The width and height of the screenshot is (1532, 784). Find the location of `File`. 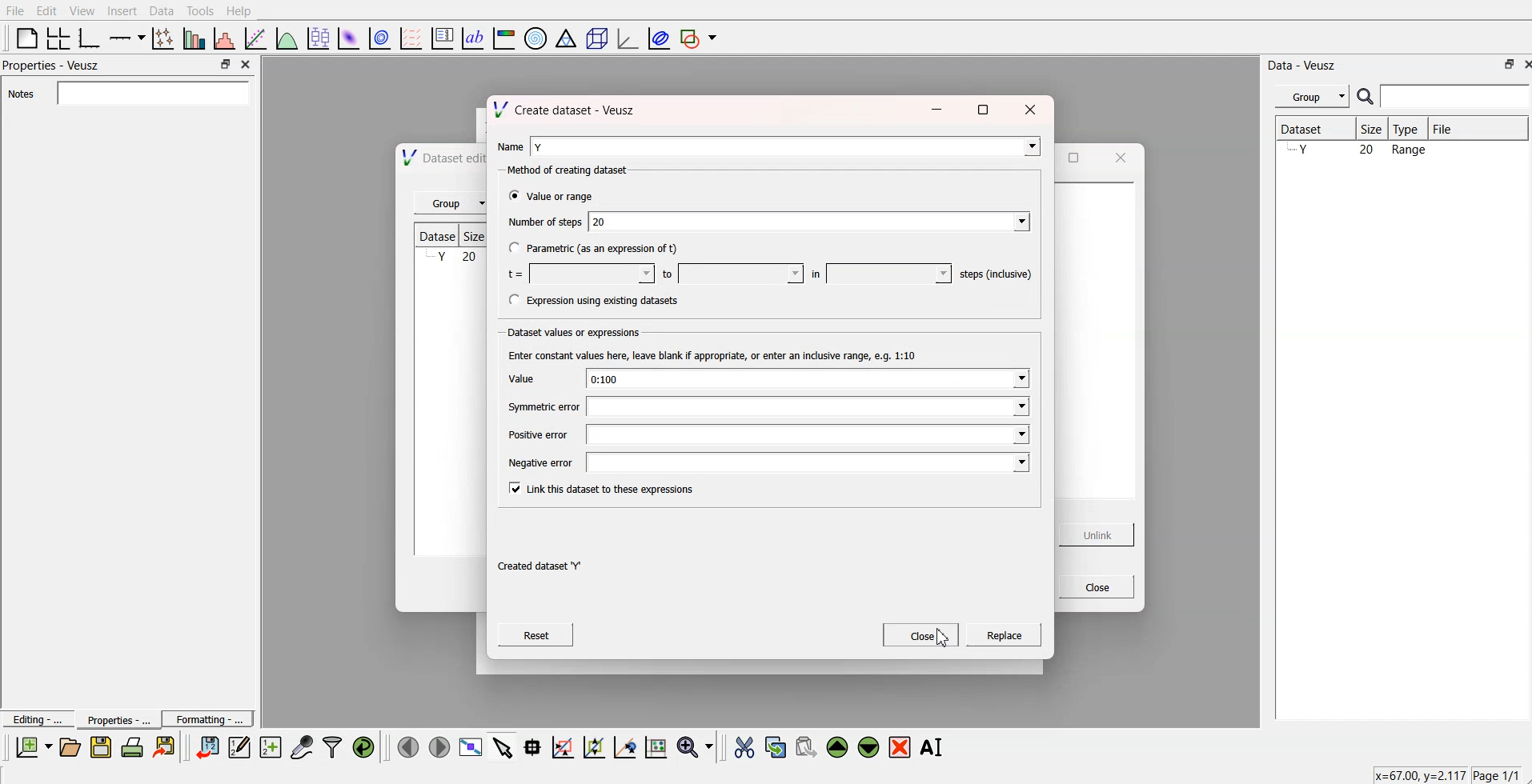

File is located at coordinates (1478, 128).